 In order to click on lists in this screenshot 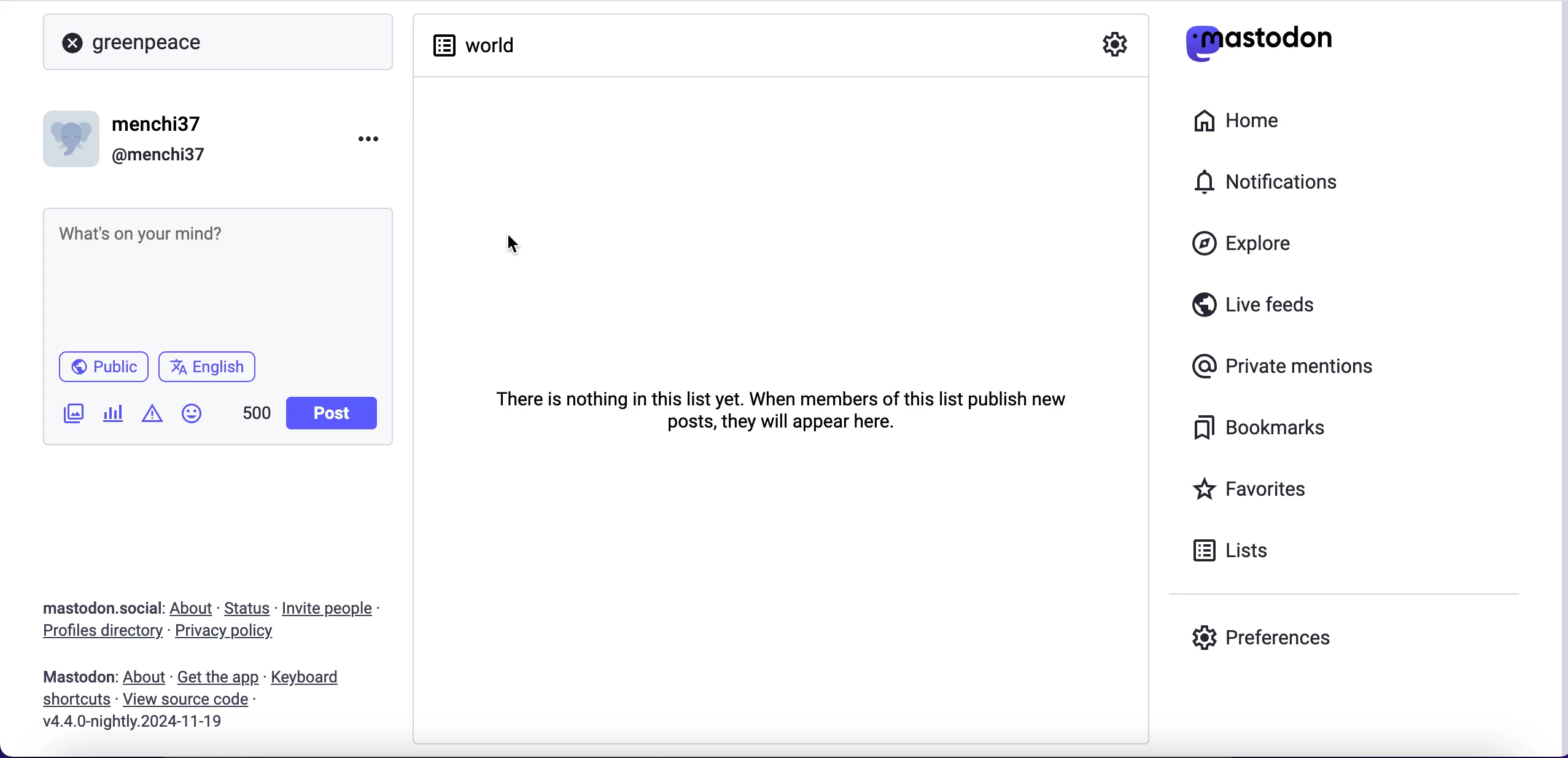, I will do `click(472, 44)`.